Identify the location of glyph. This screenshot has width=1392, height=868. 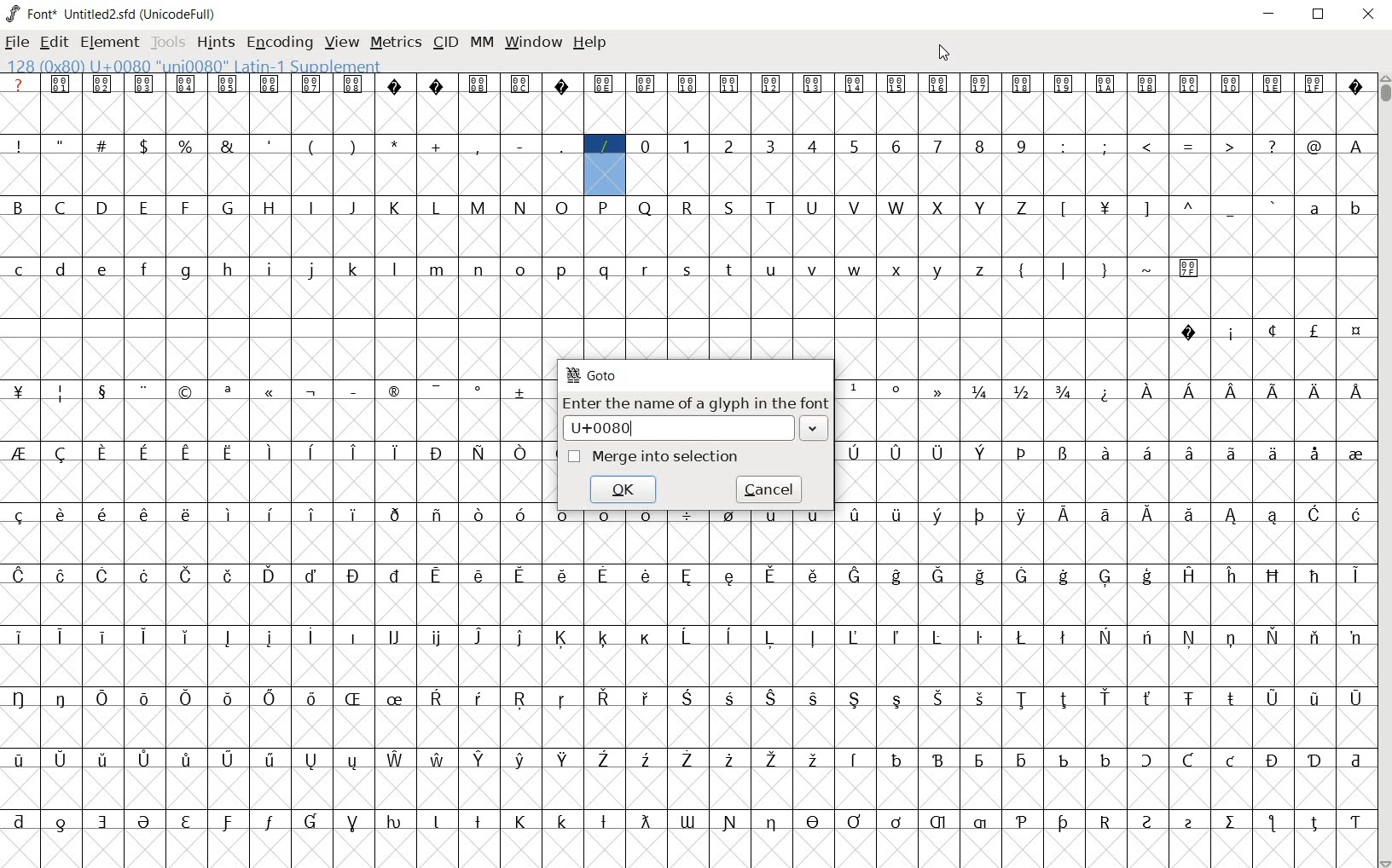
(61, 698).